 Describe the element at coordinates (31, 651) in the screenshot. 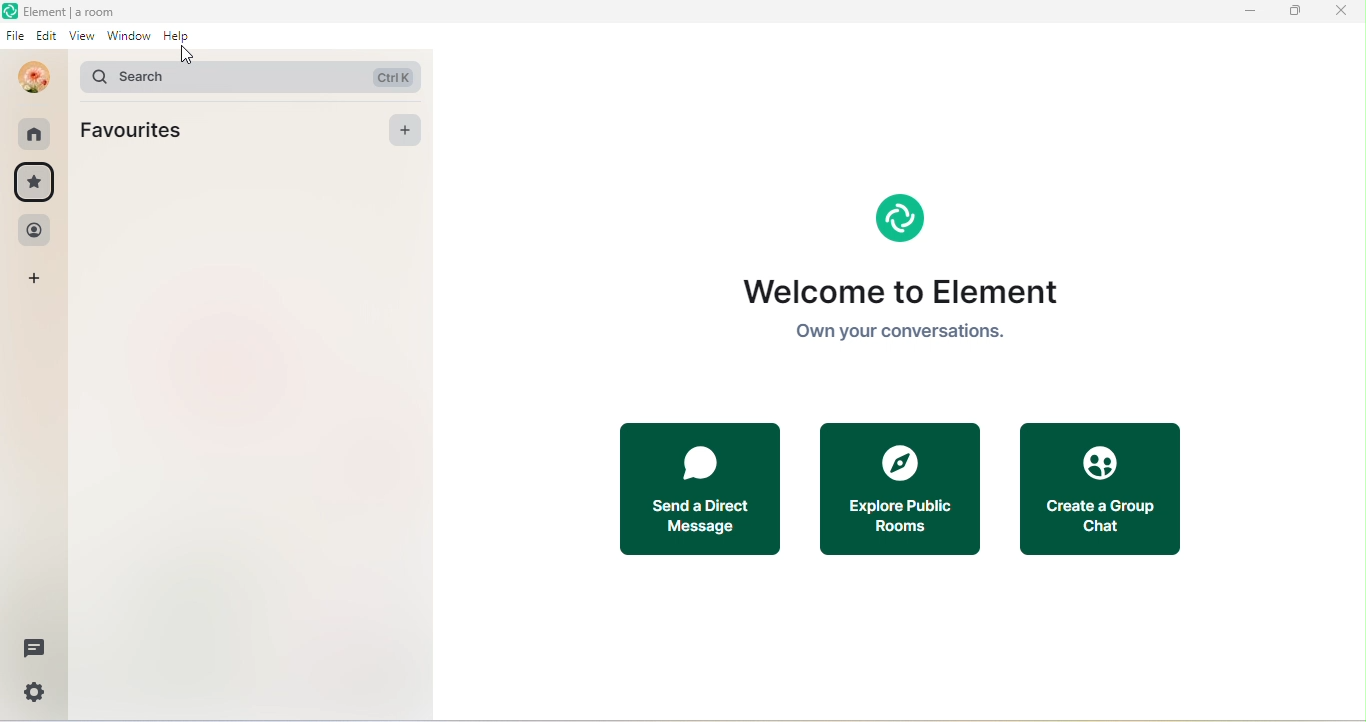

I see `thread` at that location.